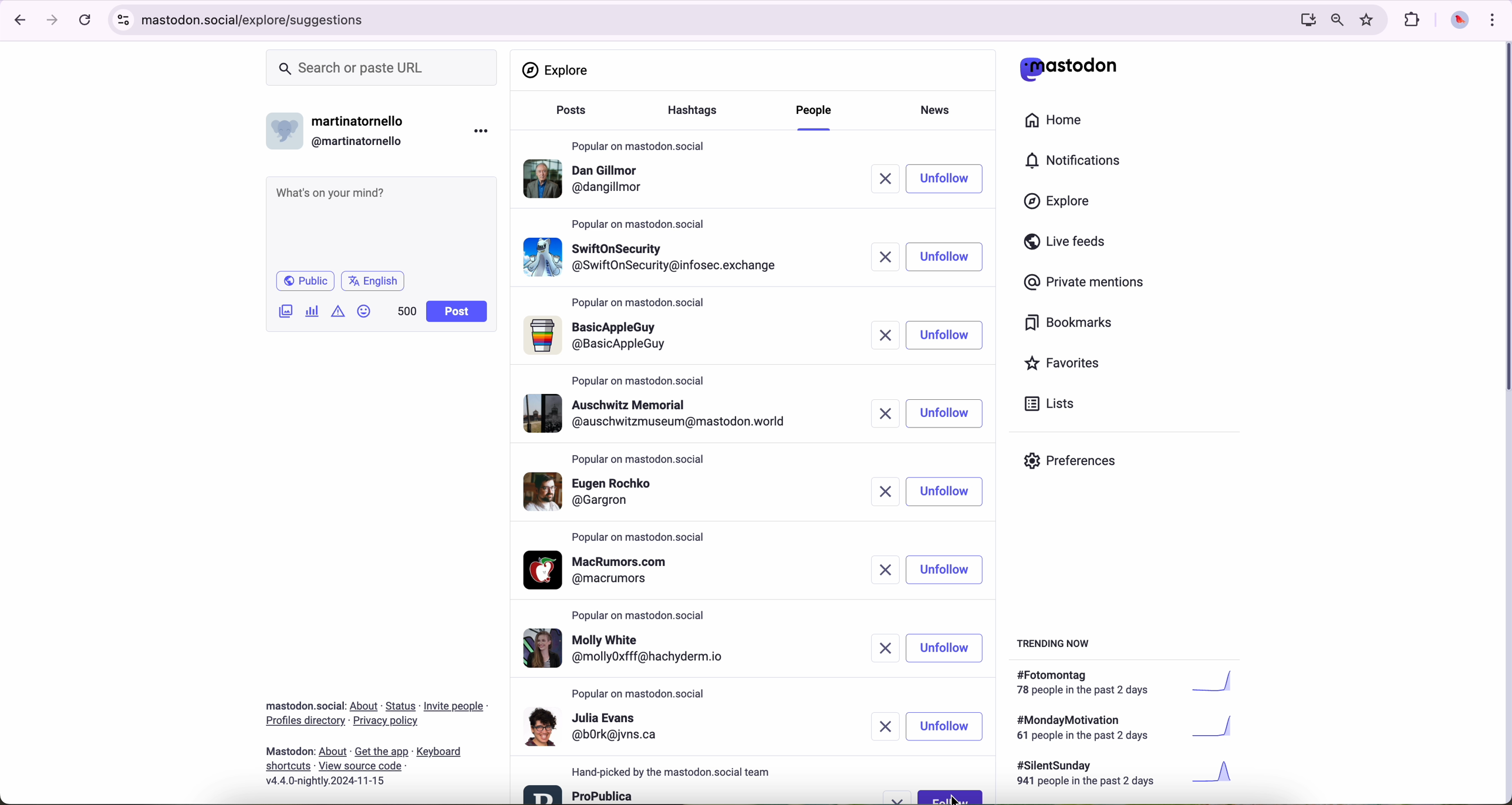  What do you see at coordinates (654, 254) in the screenshot?
I see `profile` at bounding box center [654, 254].